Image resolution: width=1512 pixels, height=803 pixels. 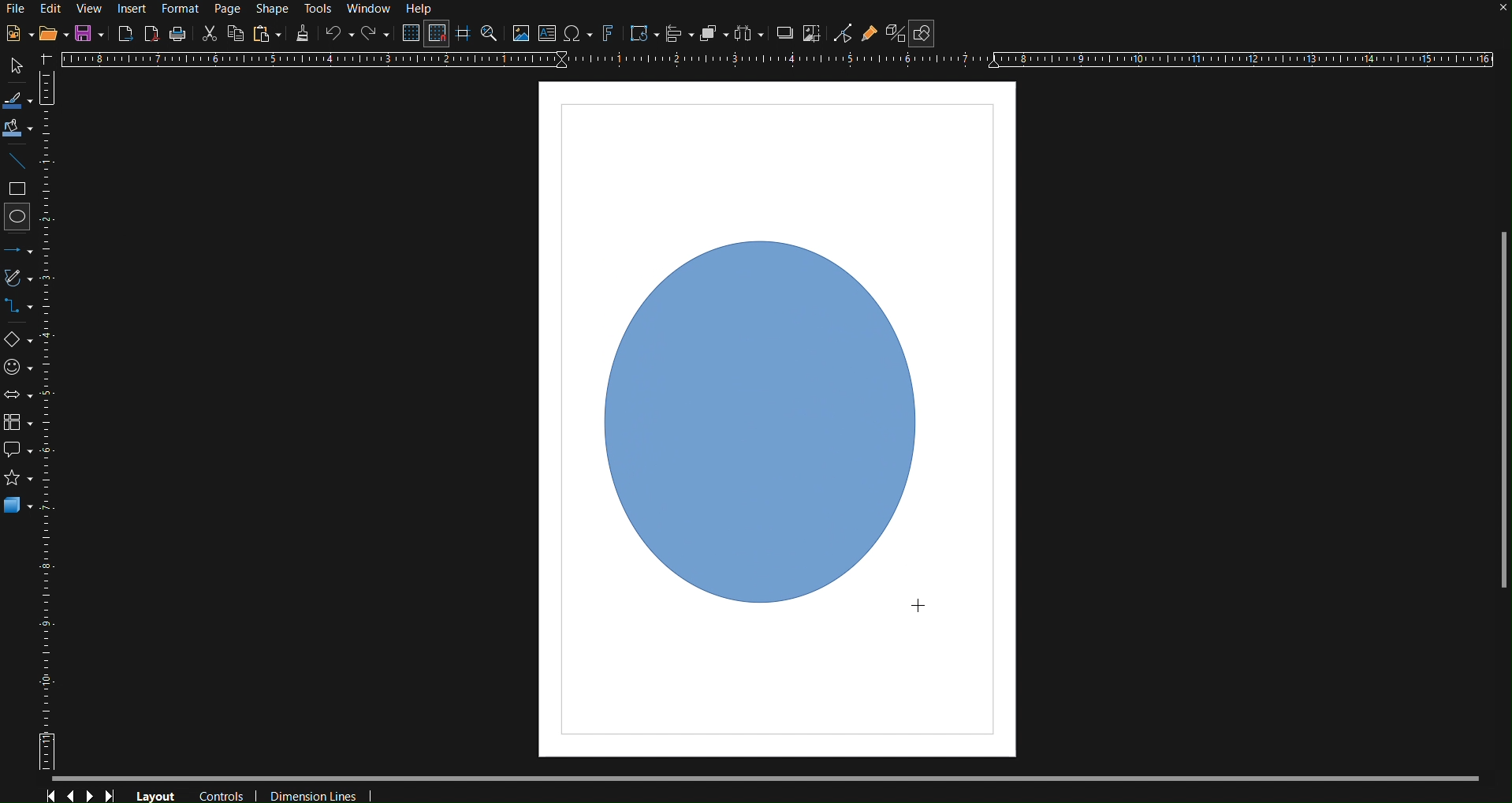 What do you see at coordinates (642, 35) in the screenshot?
I see `Transformations` at bounding box center [642, 35].